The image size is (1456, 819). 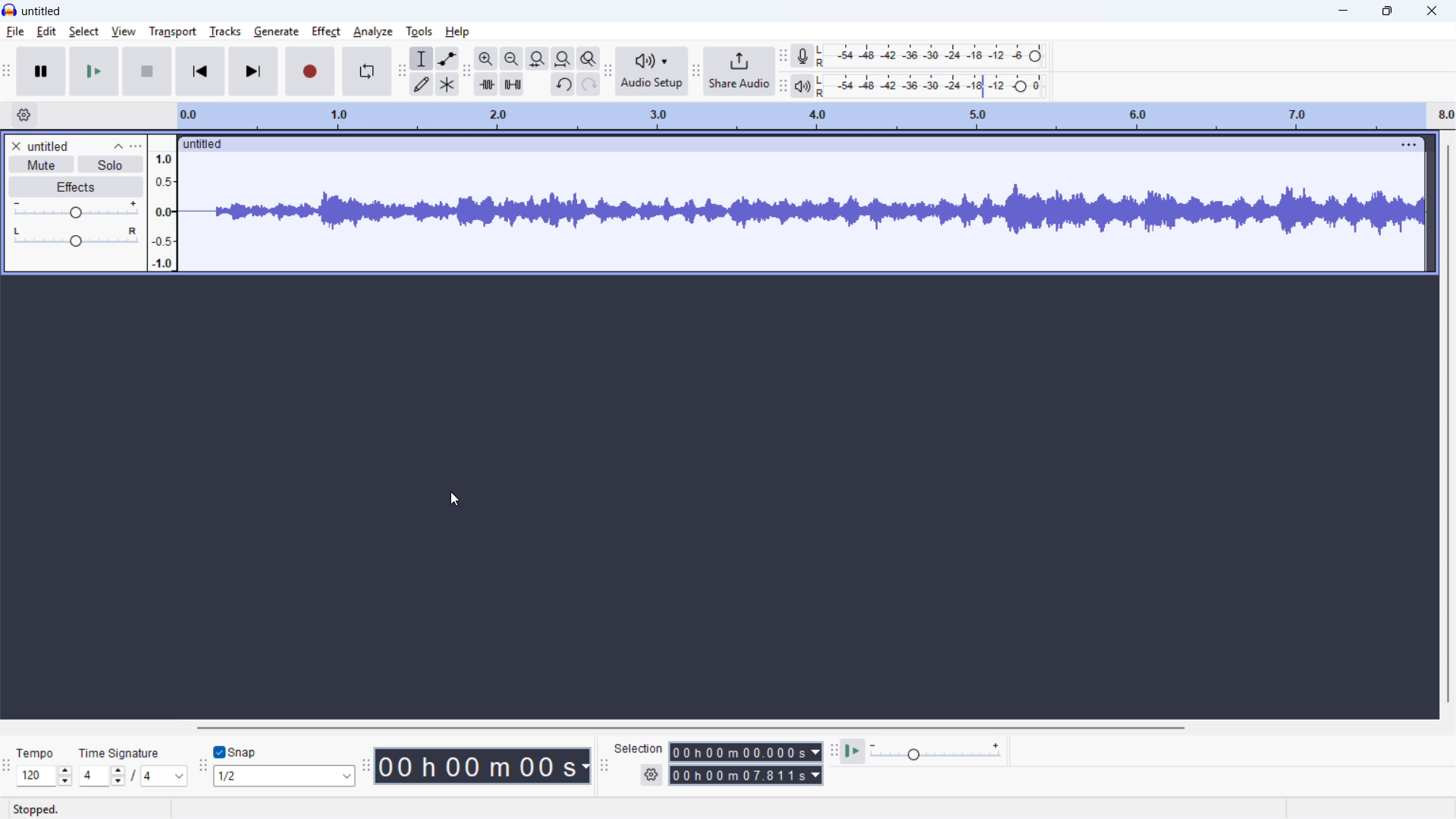 I want to click on record, so click(x=310, y=72).